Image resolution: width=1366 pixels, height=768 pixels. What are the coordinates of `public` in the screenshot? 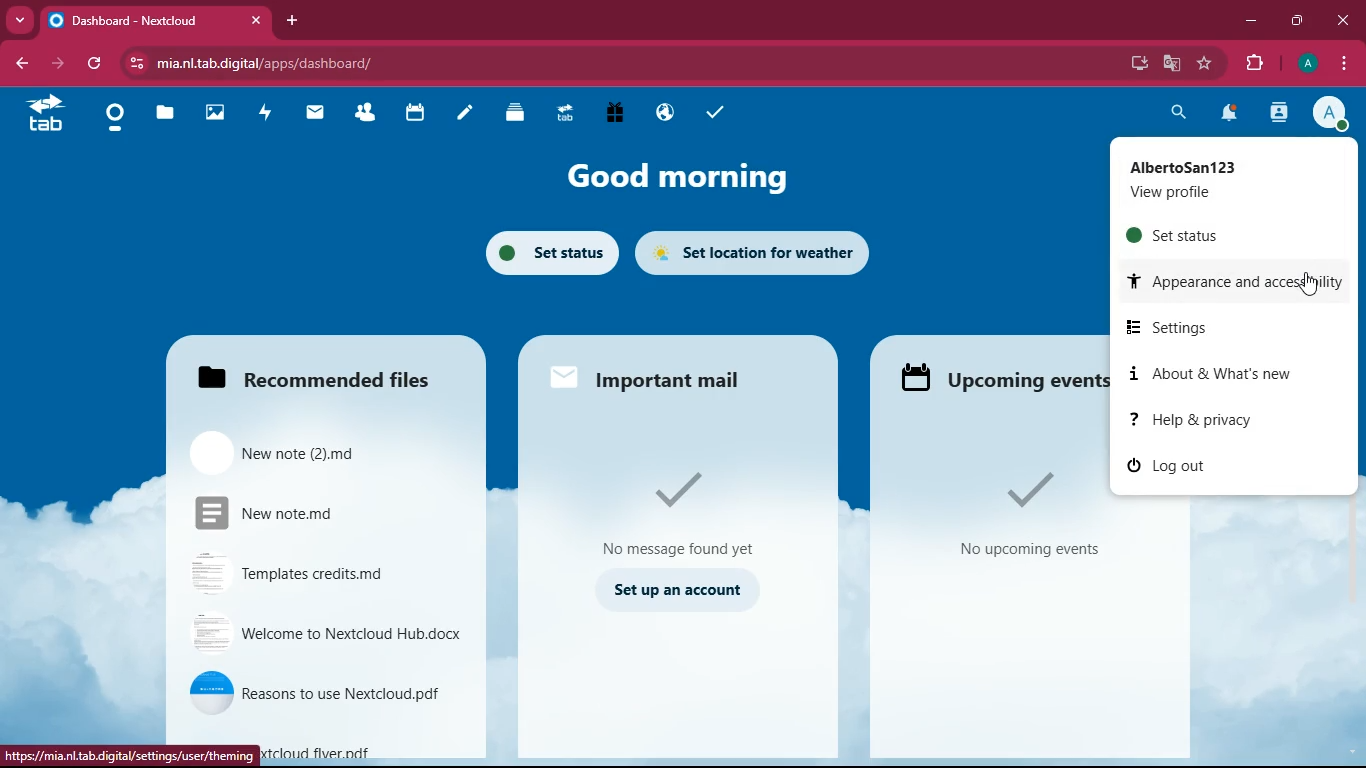 It's located at (663, 116).